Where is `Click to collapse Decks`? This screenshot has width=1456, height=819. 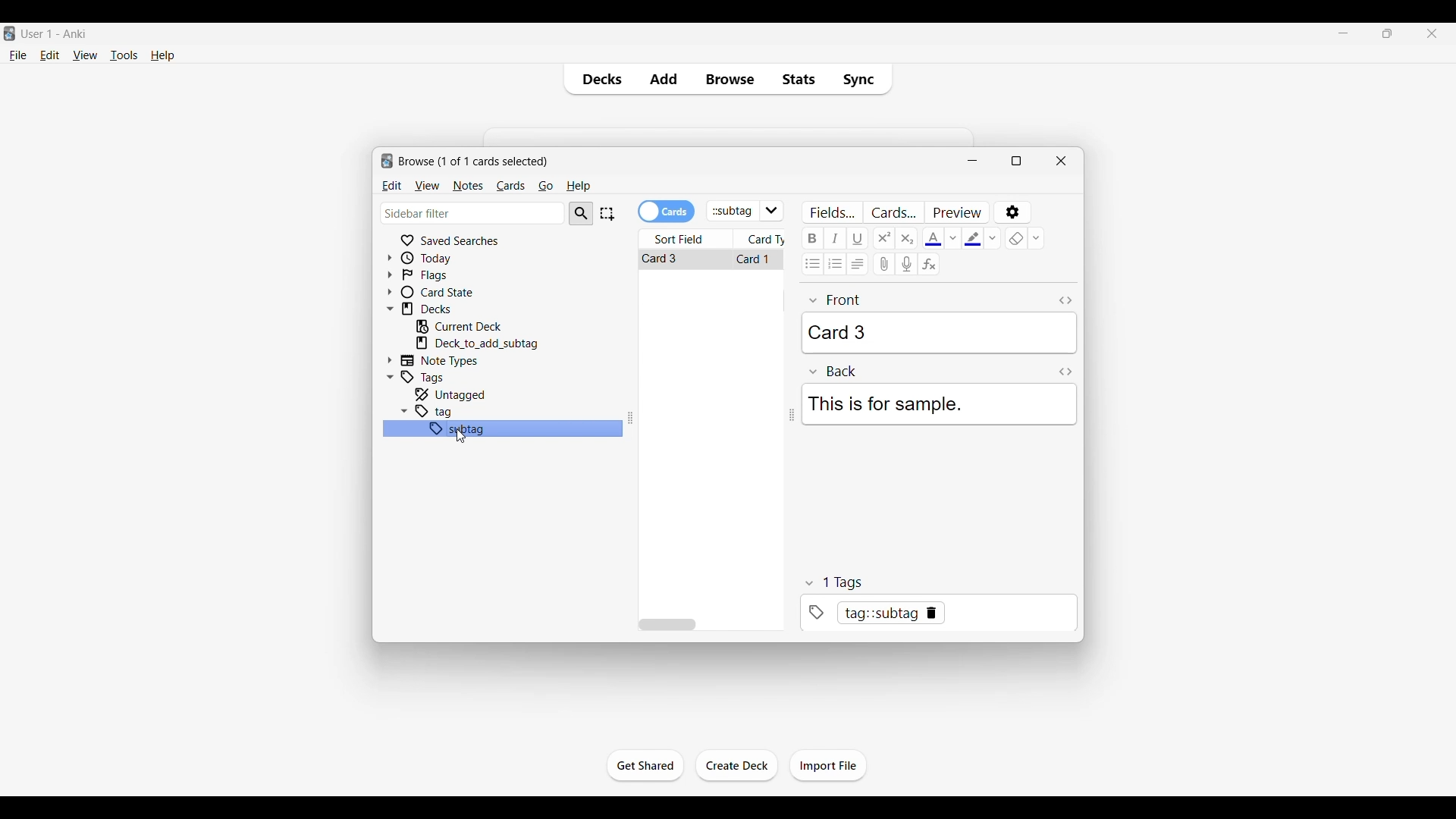 Click to collapse Decks is located at coordinates (390, 309).